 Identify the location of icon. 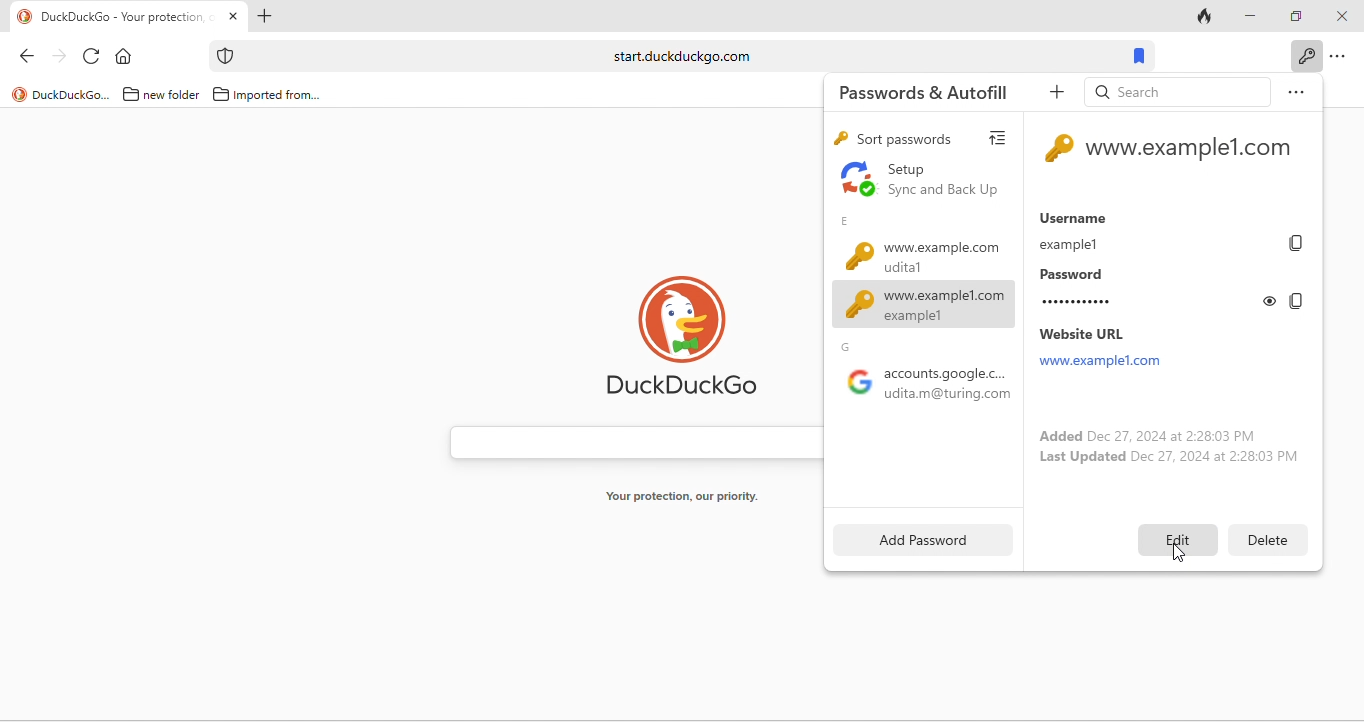
(227, 56).